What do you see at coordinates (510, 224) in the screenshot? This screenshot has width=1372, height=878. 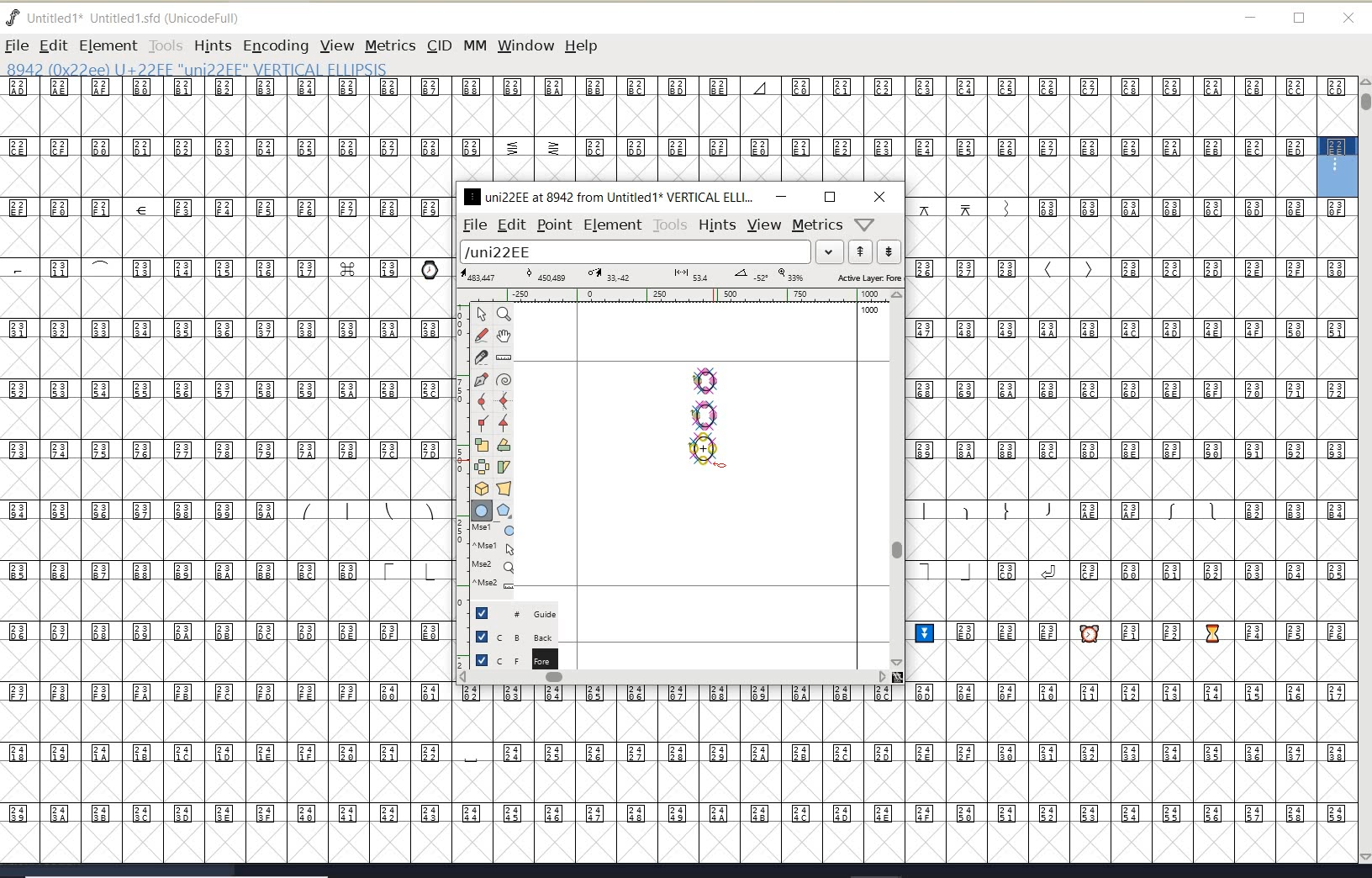 I see `edit` at bounding box center [510, 224].